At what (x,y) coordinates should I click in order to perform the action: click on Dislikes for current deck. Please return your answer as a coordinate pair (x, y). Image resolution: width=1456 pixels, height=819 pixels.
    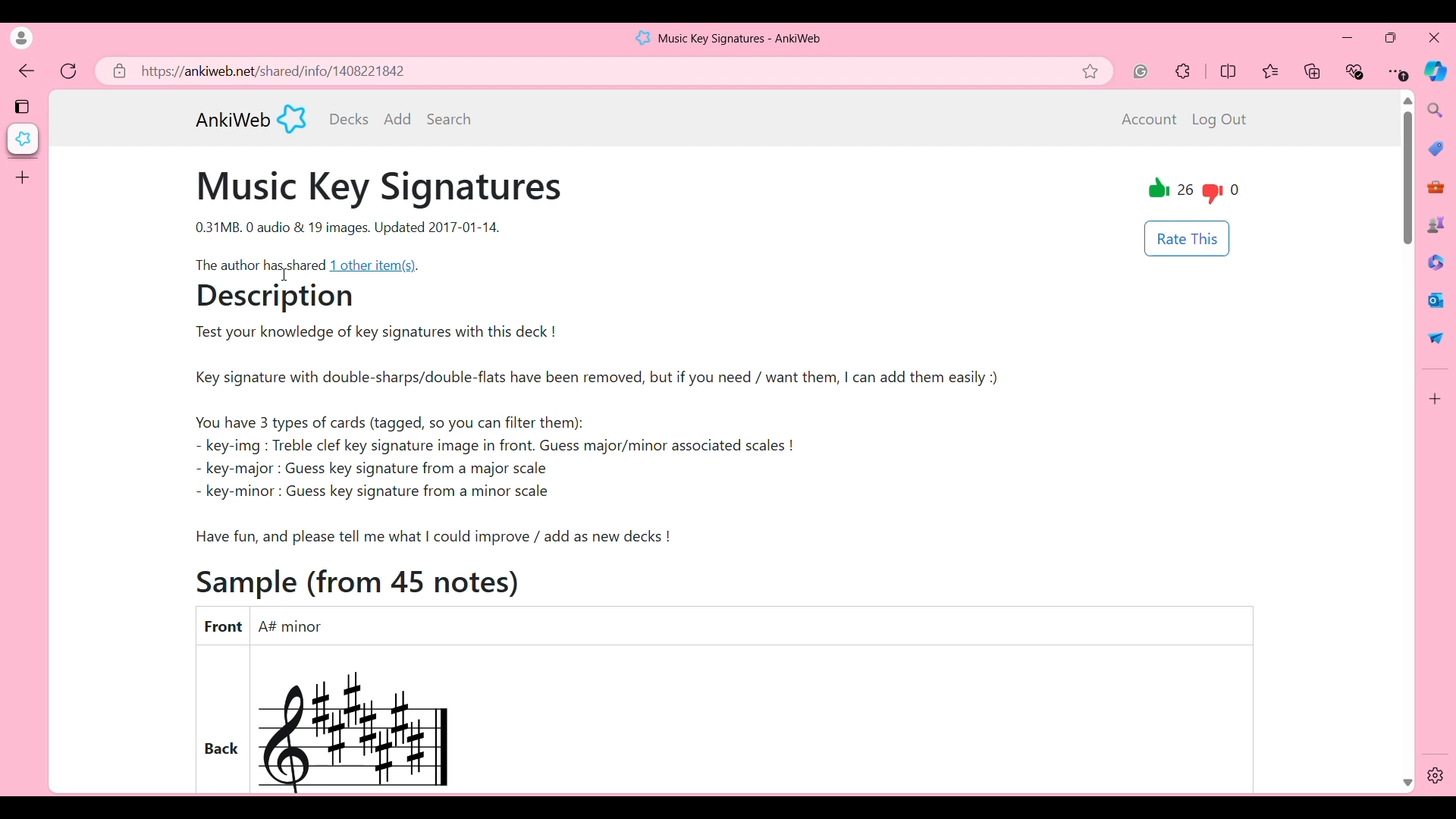
    Looking at the image, I should click on (1221, 192).